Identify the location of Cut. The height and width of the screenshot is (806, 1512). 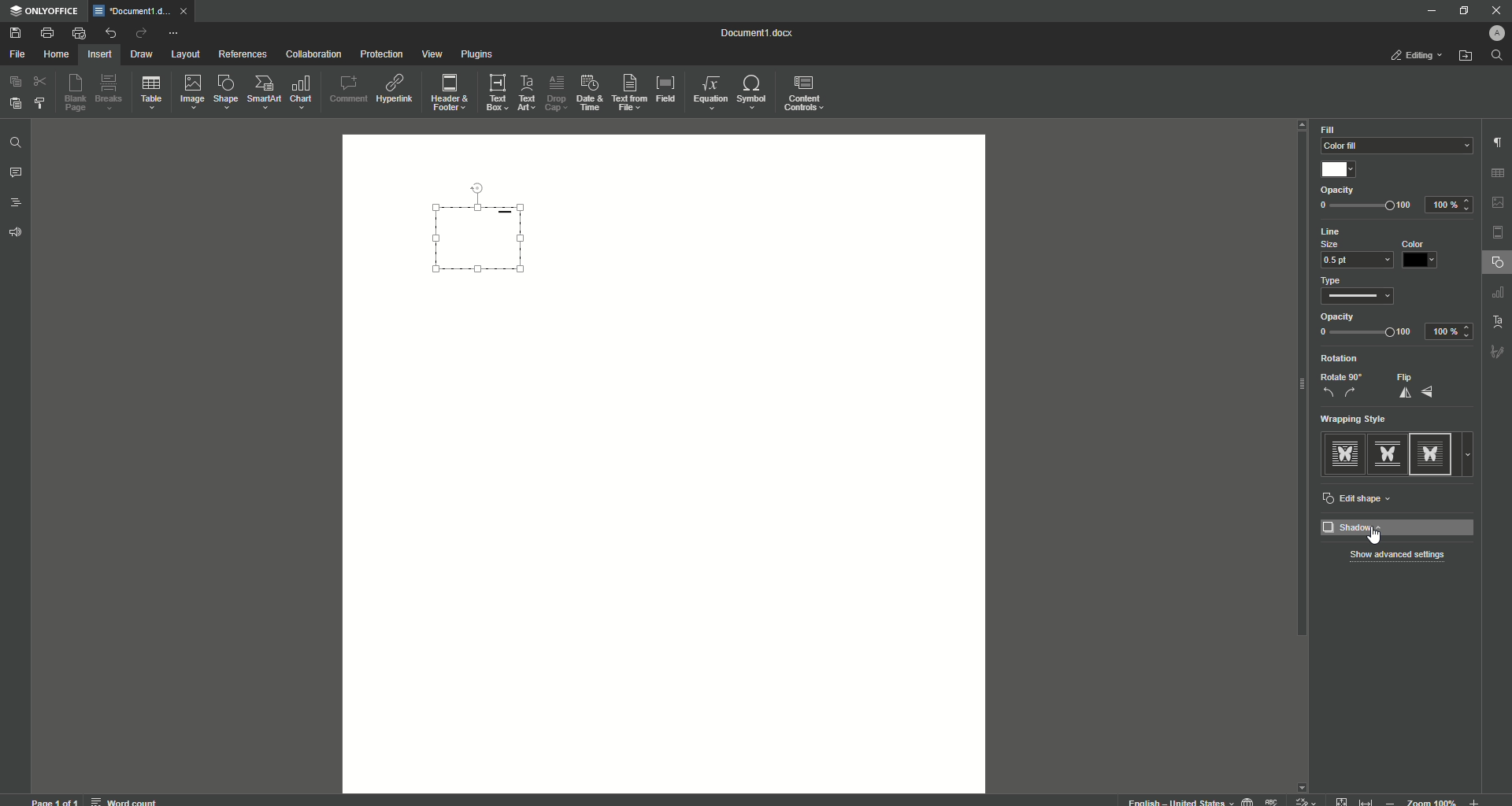
(42, 80).